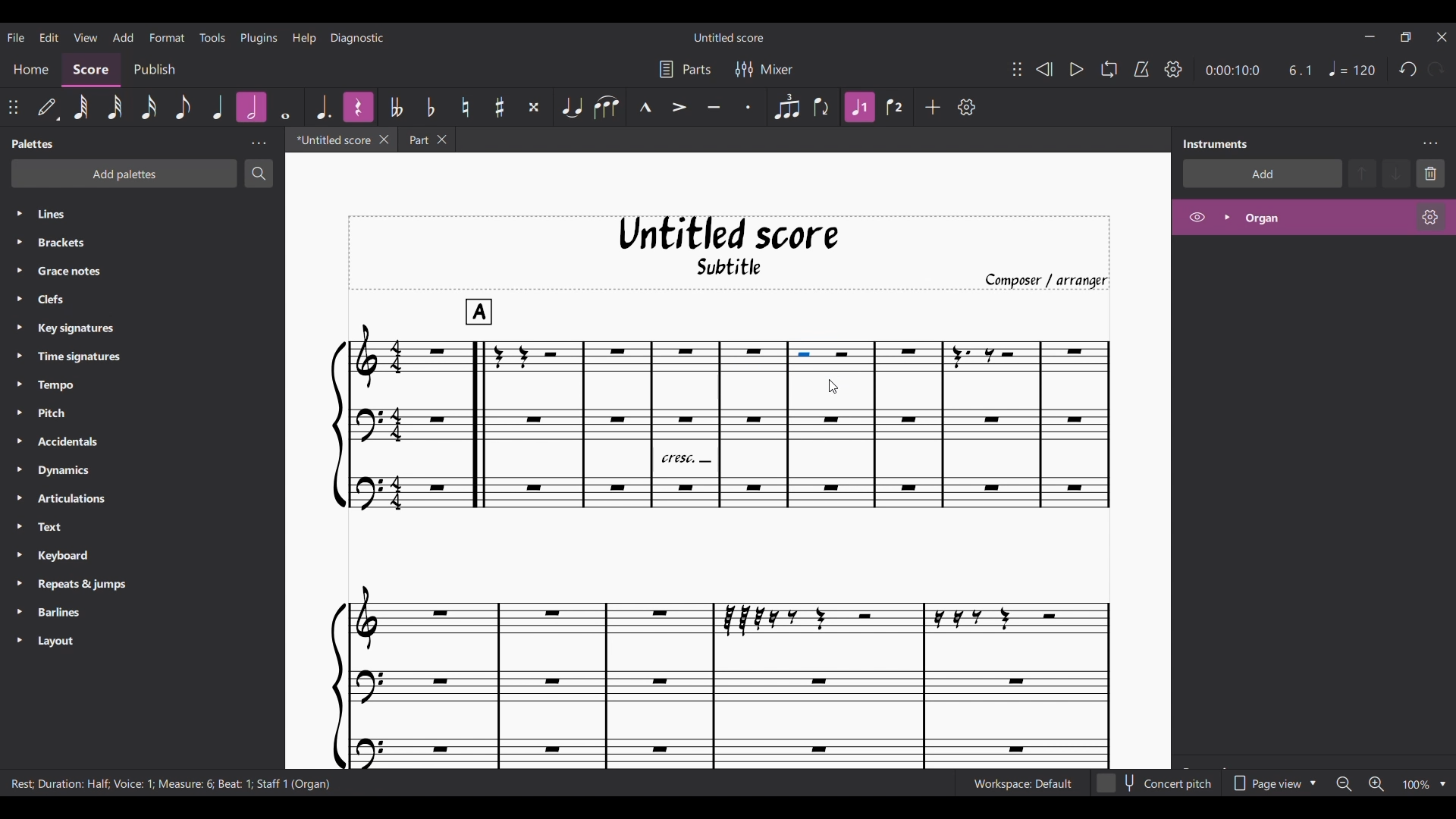 The image size is (1456, 819). What do you see at coordinates (184, 108) in the screenshot?
I see `8th note` at bounding box center [184, 108].